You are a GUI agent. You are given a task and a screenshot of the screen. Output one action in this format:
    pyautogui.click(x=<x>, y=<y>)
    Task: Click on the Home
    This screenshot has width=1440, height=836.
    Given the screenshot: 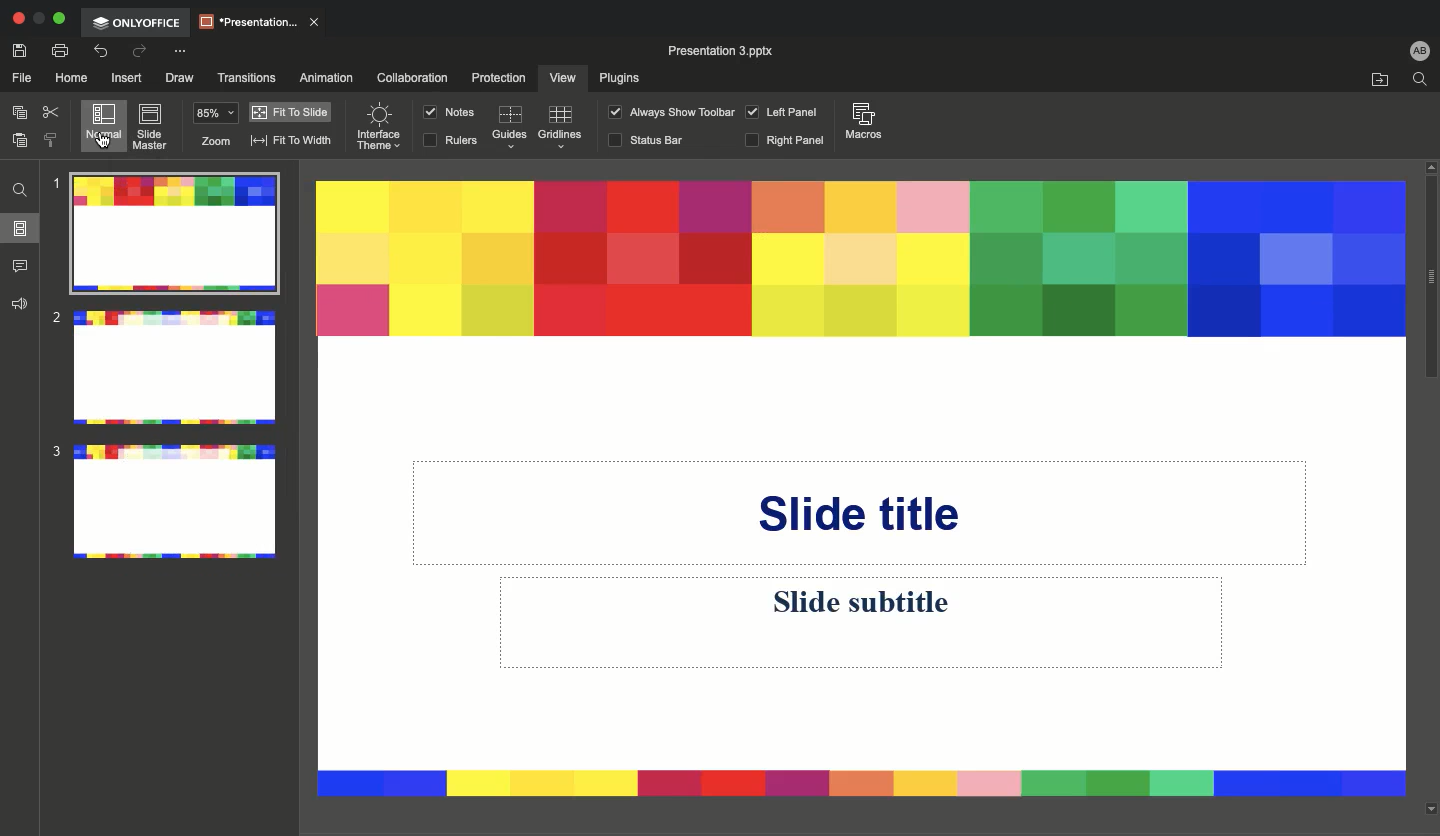 What is the action you would take?
    pyautogui.click(x=69, y=78)
    